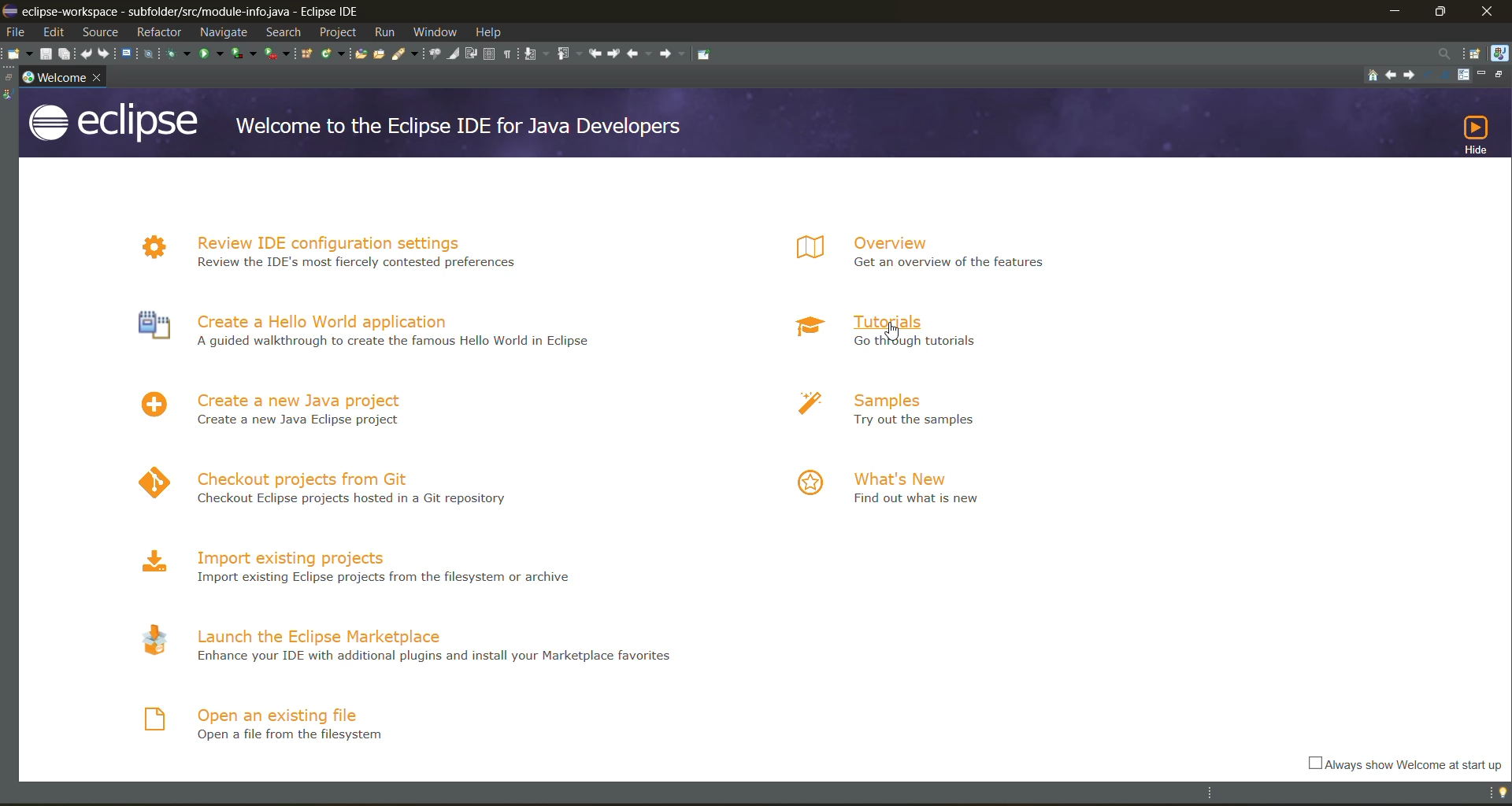 Image resolution: width=1512 pixels, height=806 pixels. Describe the element at coordinates (456, 54) in the screenshot. I see `toggle mark occurences` at that location.